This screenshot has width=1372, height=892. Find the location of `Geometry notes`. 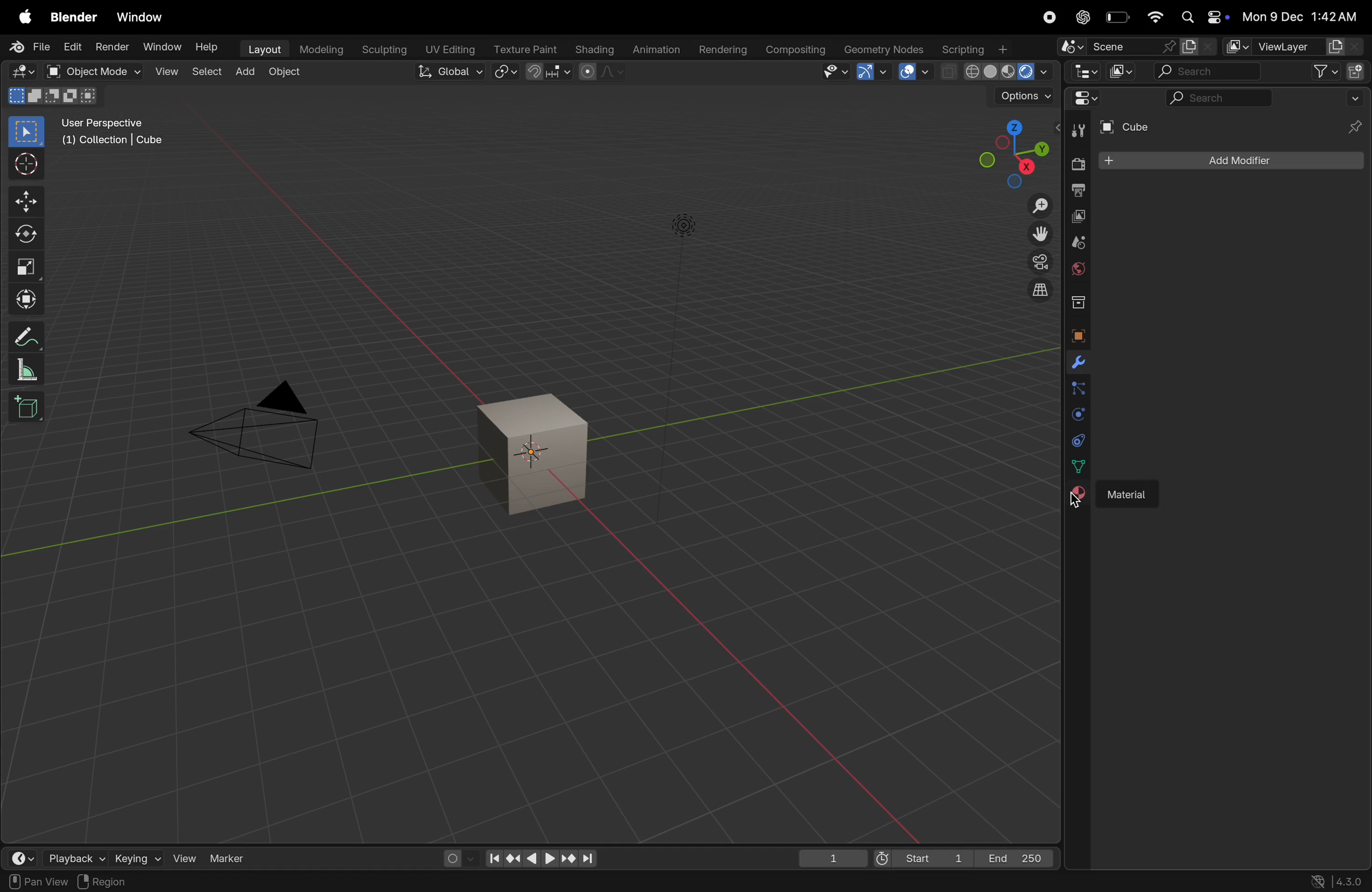

Geometry notes is located at coordinates (884, 48).